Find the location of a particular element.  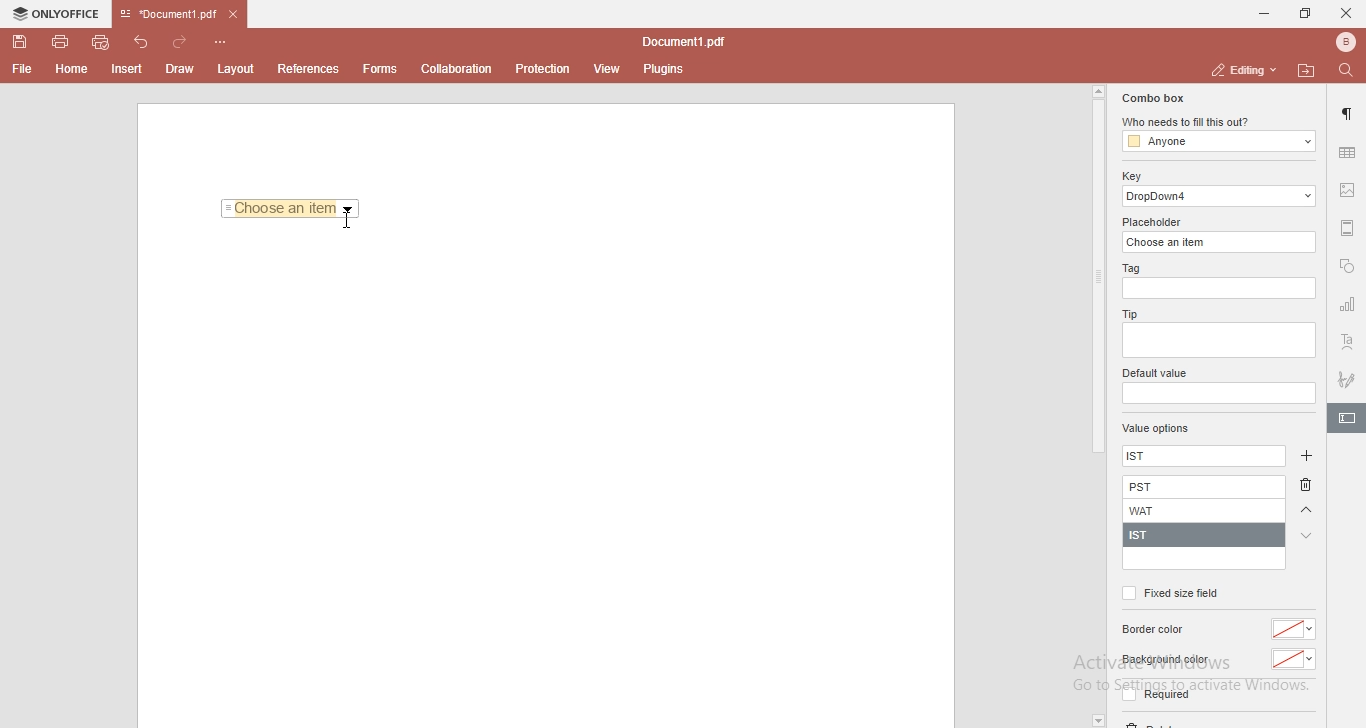

arrow up is located at coordinates (1307, 511).